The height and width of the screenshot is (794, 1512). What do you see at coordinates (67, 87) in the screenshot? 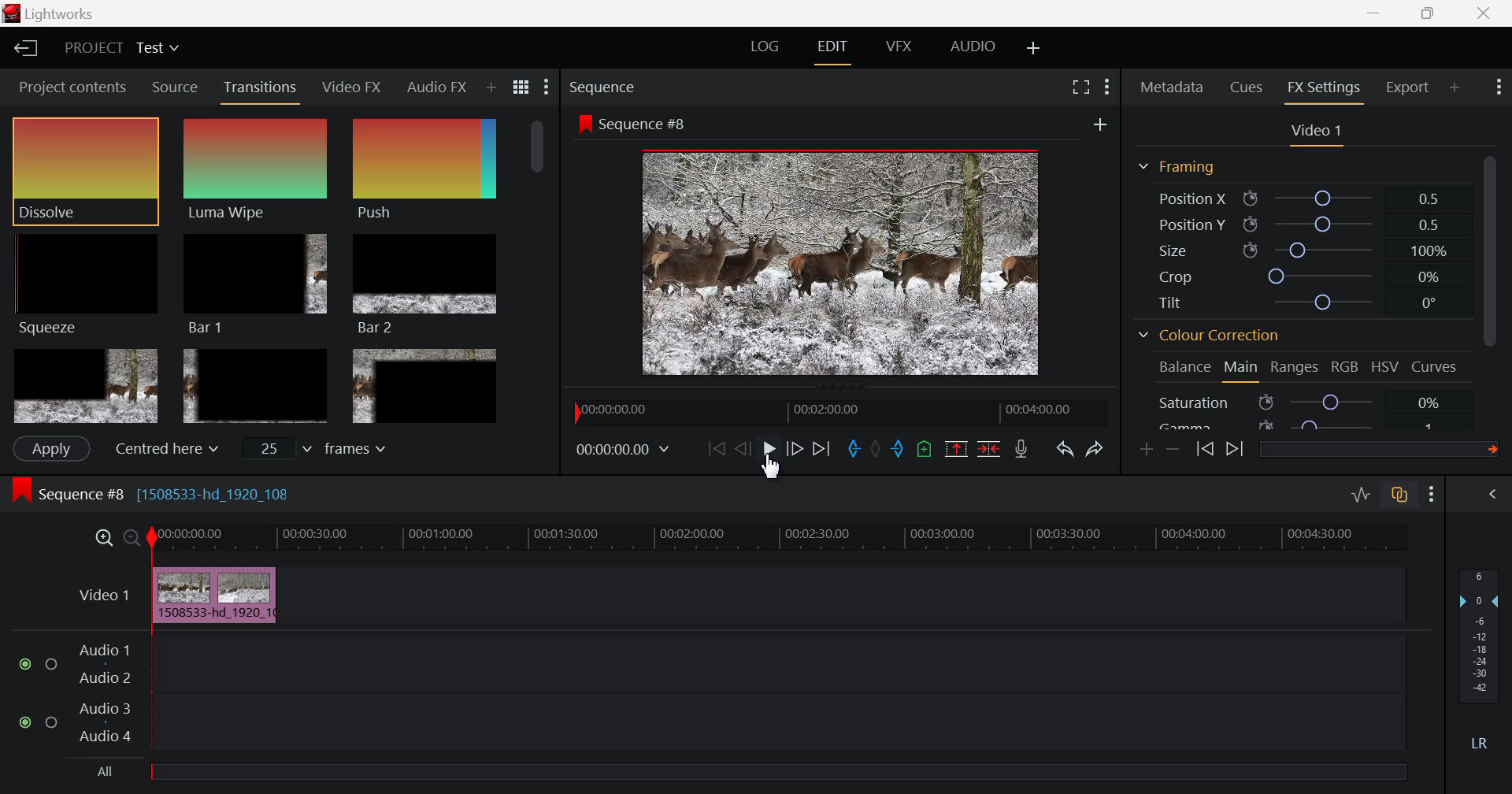
I see `Project contents` at bounding box center [67, 87].